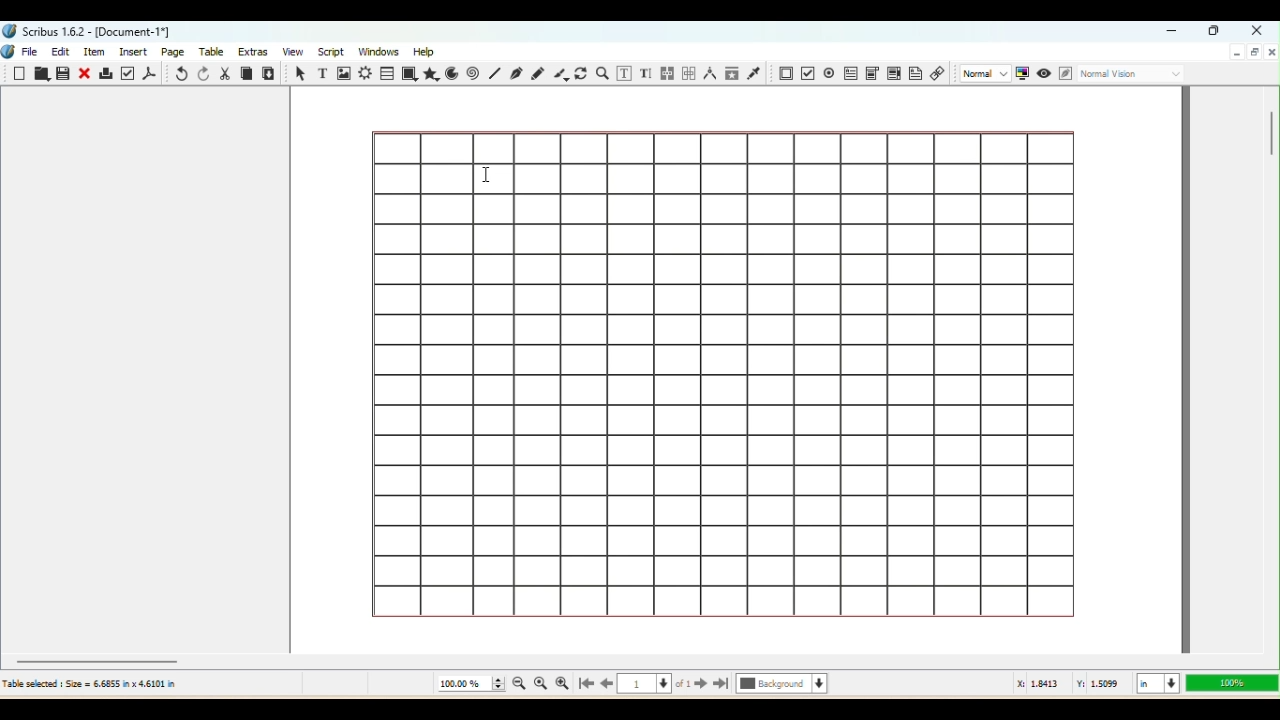 This screenshot has height=720, width=1280. Describe the element at coordinates (655, 686) in the screenshot. I see `Select the current page` at that location.